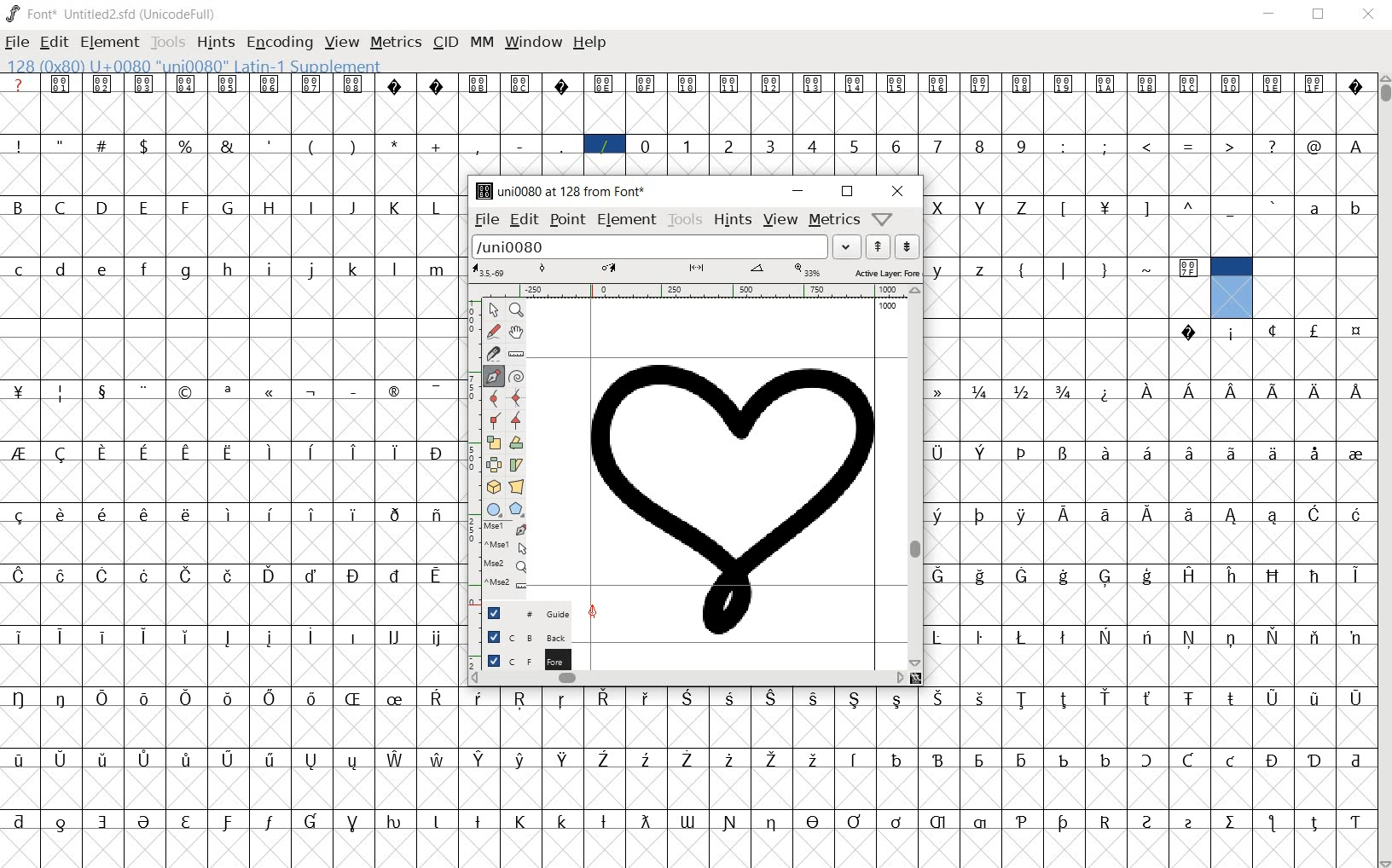 The height and width of the screenshot is (868, 1392). What do you see at coordinates (979, 761) in the screenshot?
I see `glyph` at bounding box center [979, 761].